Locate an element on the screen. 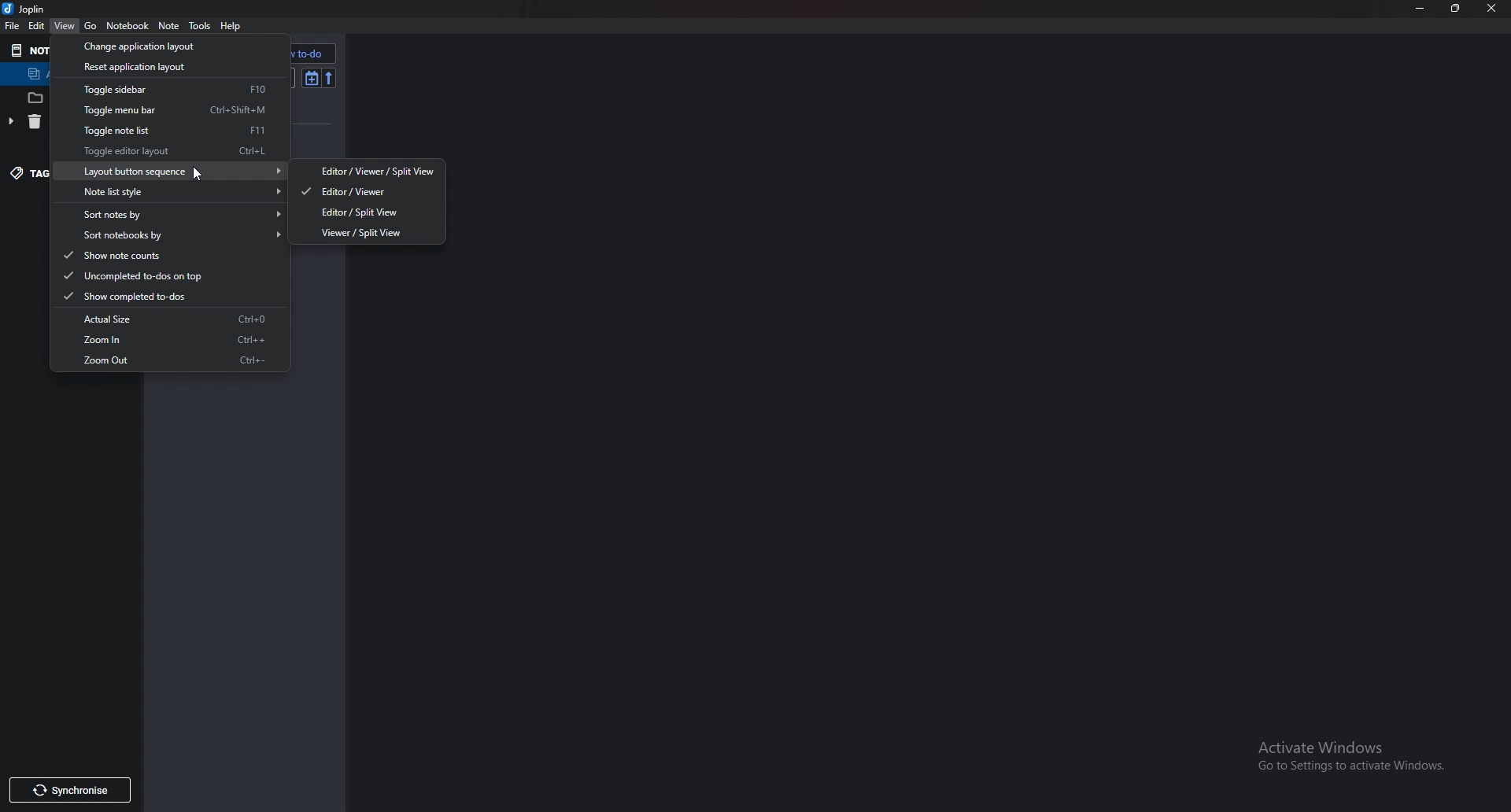 The height and width of the screenshot is (812, 1511). Zoom out is located at coordinates (174, 359).